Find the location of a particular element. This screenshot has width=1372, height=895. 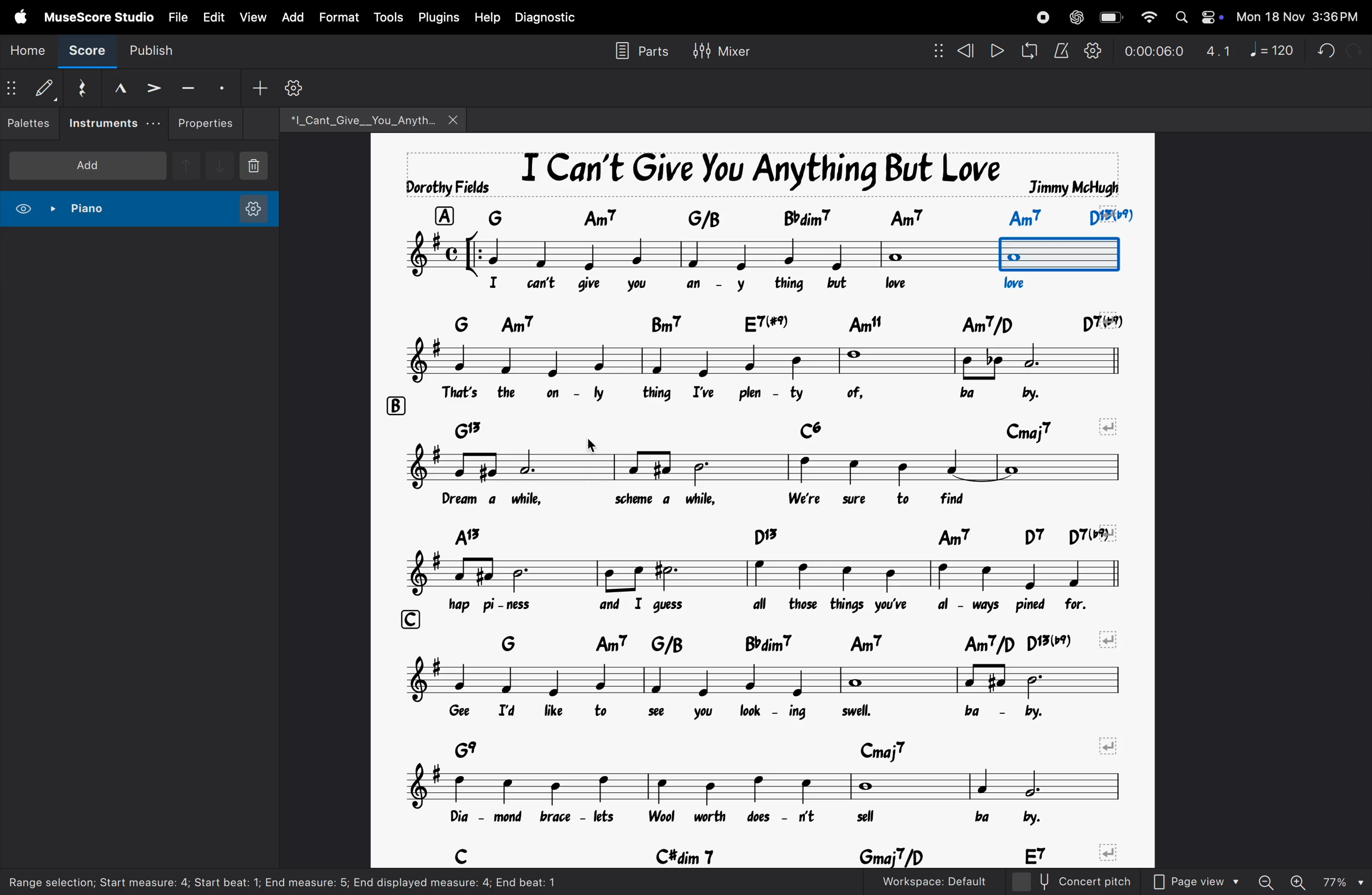

diagnostic is located at coordinates (549, 17).